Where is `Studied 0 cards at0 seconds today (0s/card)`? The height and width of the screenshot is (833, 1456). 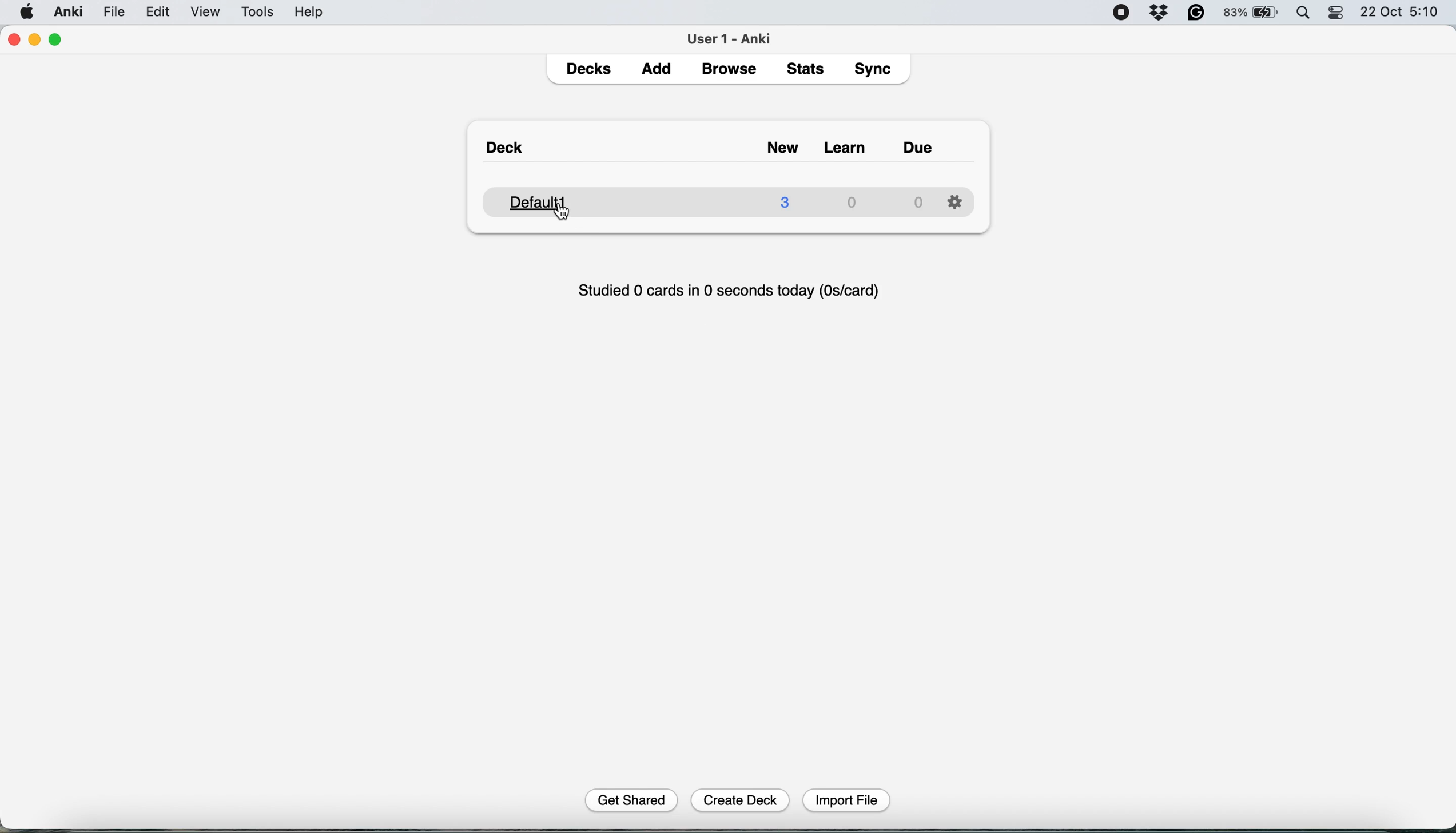
Studied 0 cards at0 seconds today (0s/card) is located at coordinates (732, 288).